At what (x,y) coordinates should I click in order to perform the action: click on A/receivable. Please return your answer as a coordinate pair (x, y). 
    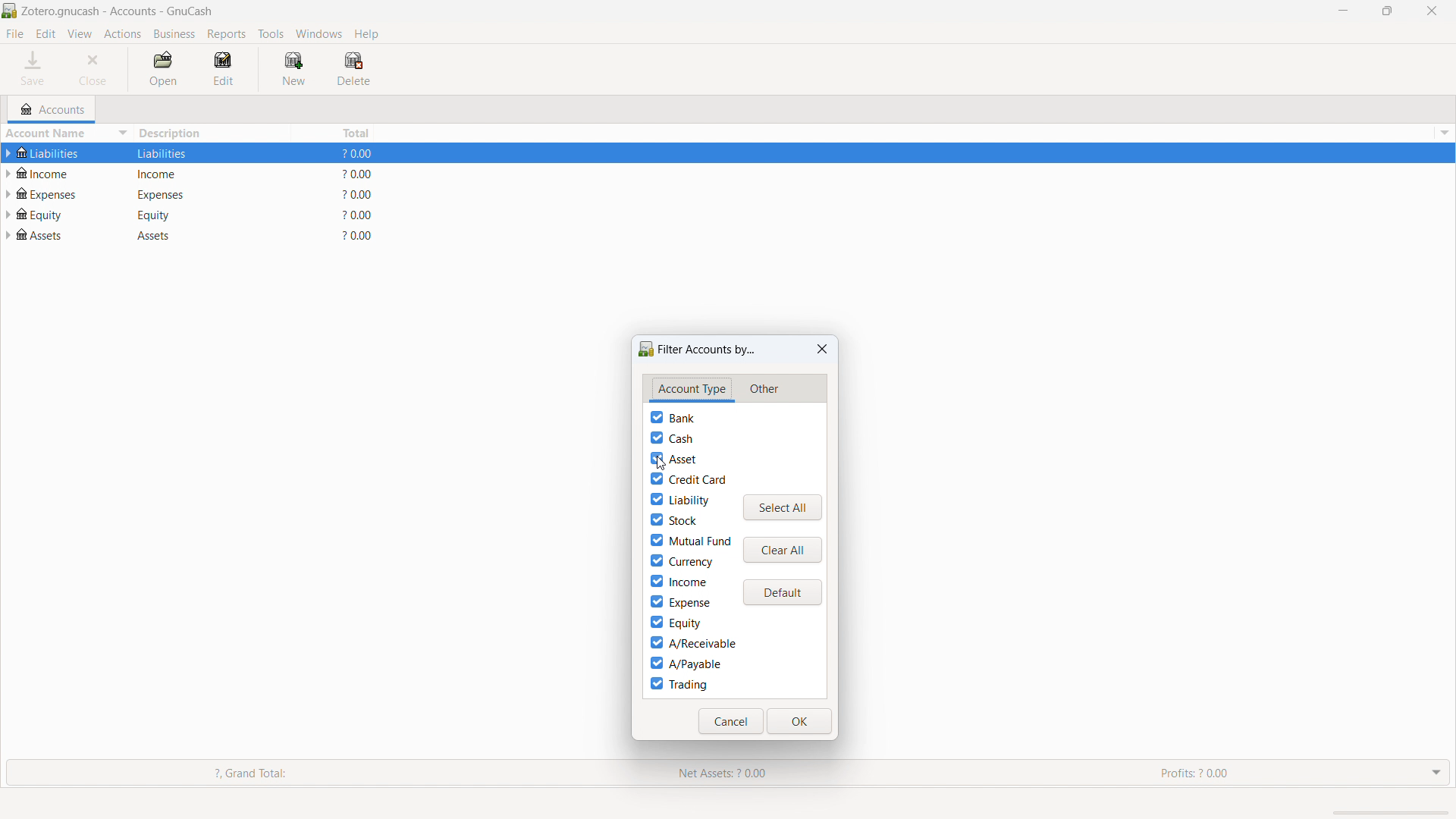
    Looking at the image, I should click on (692, 643).